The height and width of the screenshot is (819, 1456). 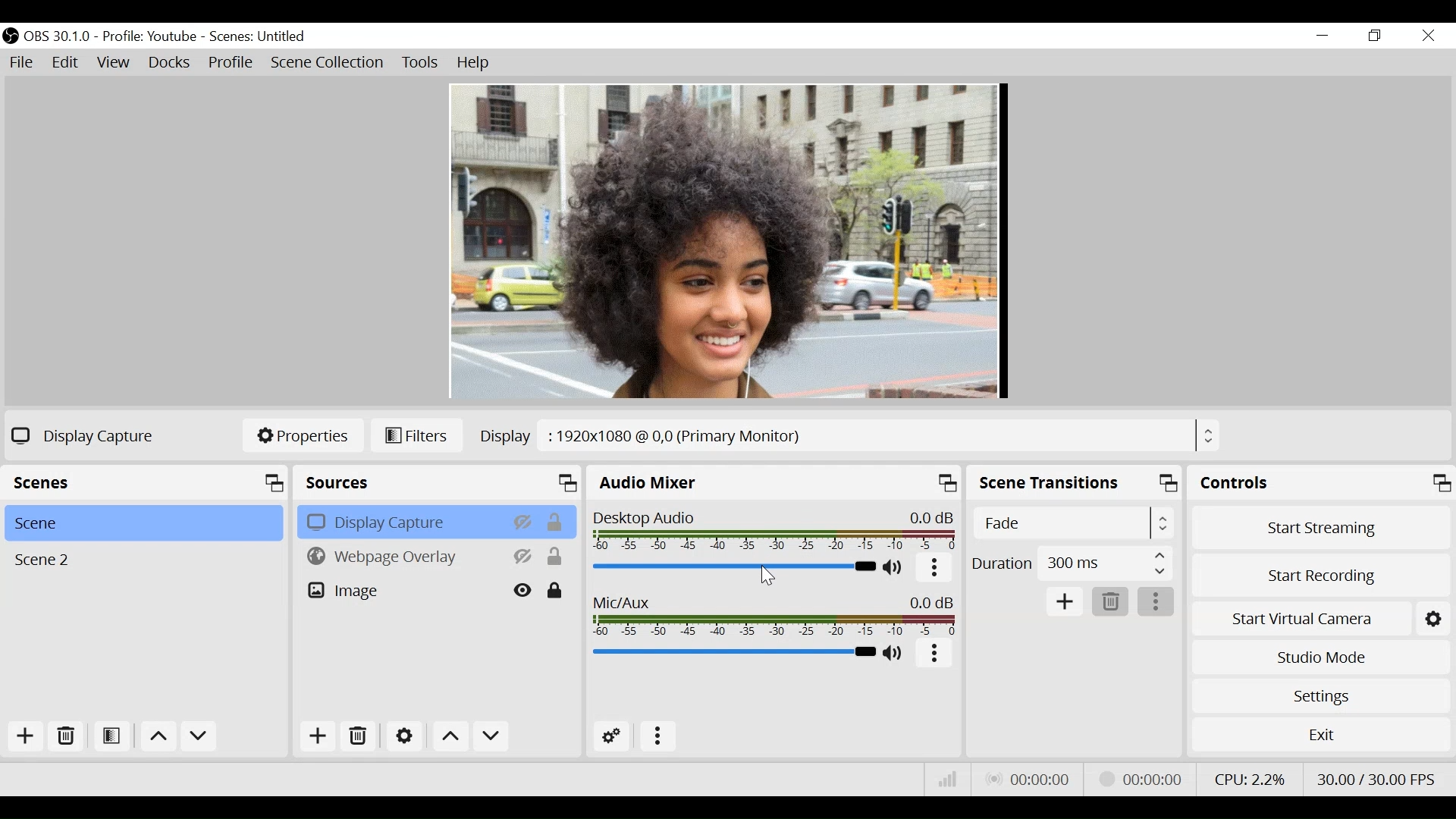 I want to click on Profile , so click(x=152, y=36).